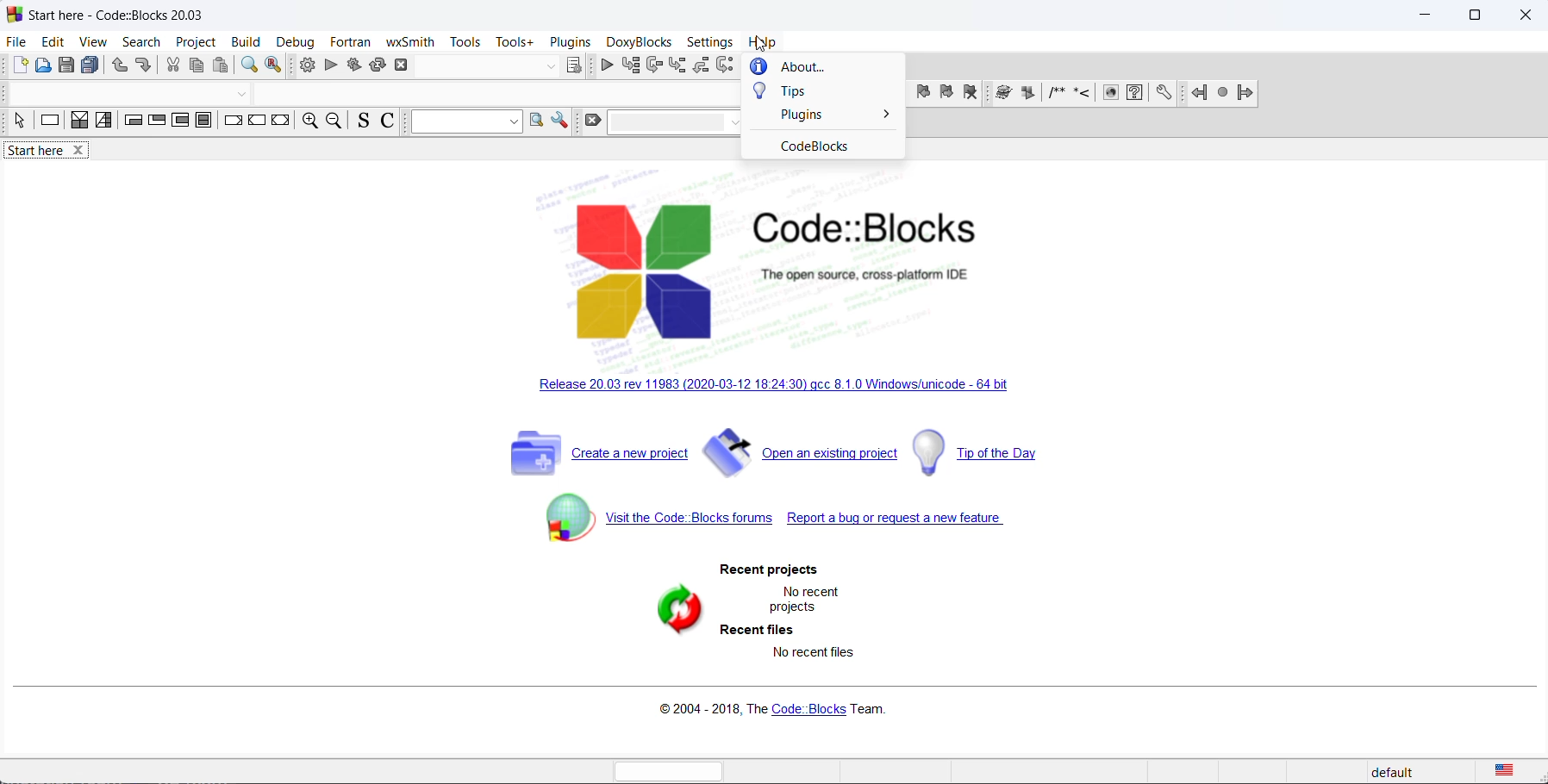 The width and height of the screenshot is (1548, 784). What do you see at coordinates (1197, 95) in the screenshot?
I see `jump back` at bounding box center [1197, 95].